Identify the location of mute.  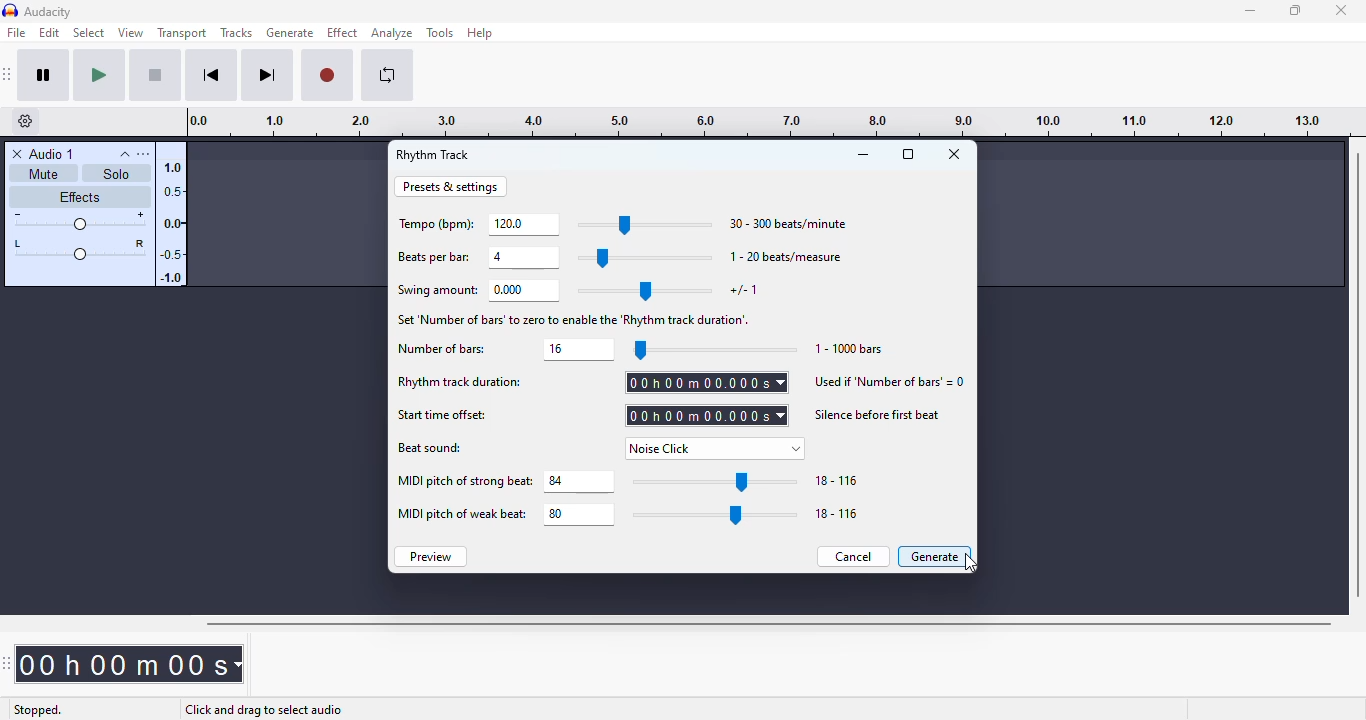
(44, 173).